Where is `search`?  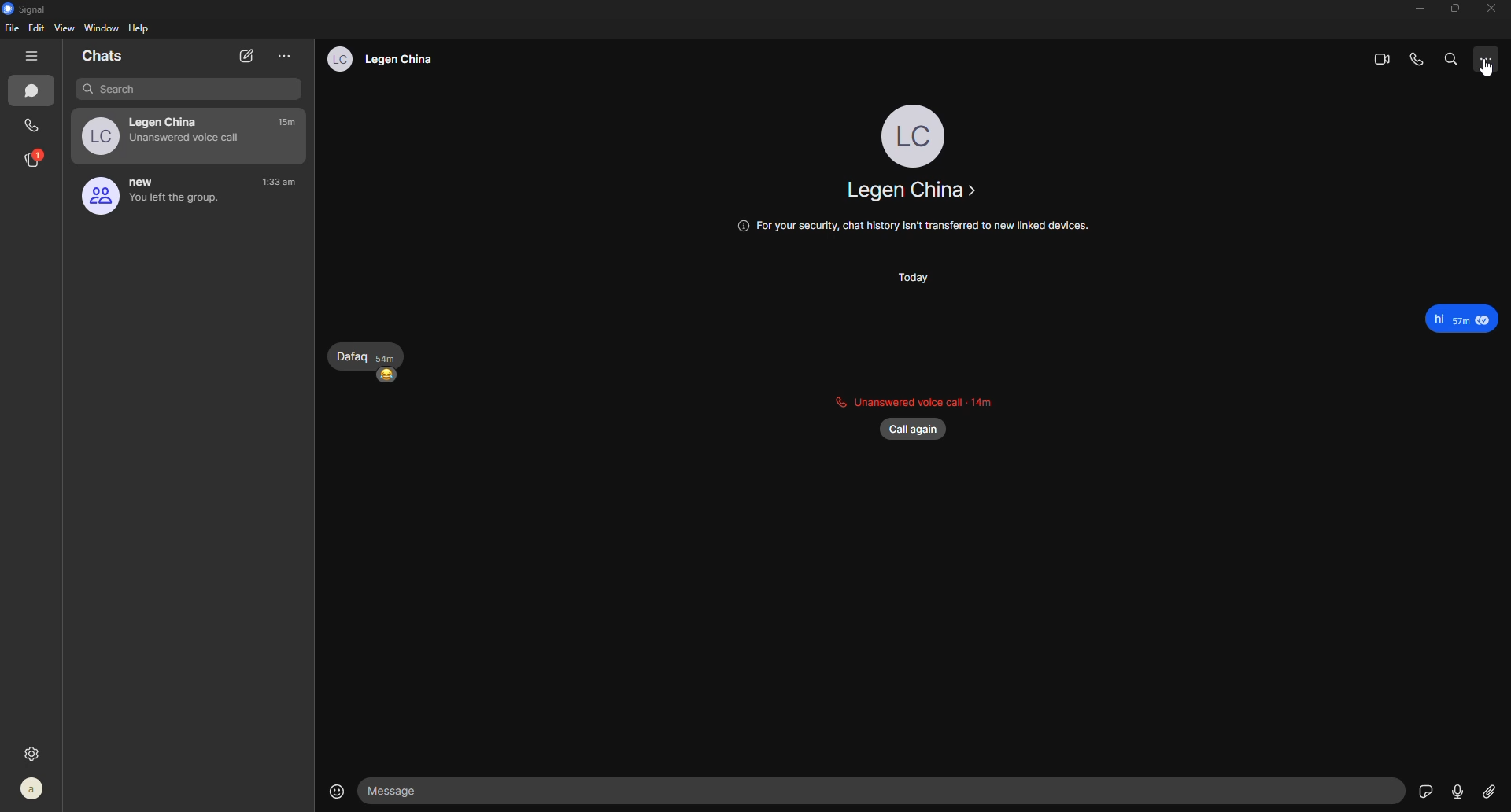 search is located at coordinates (184, 88).